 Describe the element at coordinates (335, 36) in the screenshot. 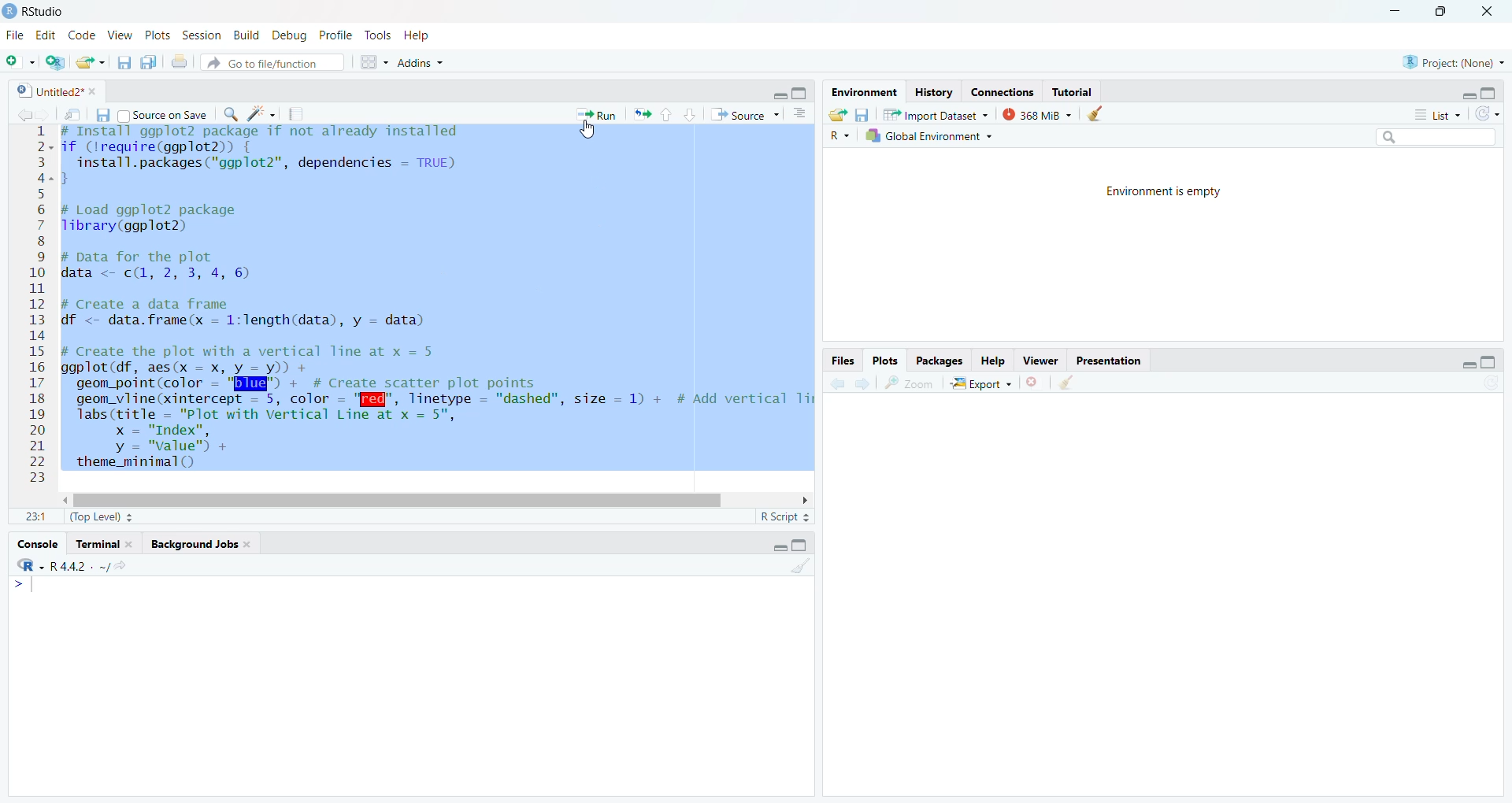

I see `1g Profile` at that location.